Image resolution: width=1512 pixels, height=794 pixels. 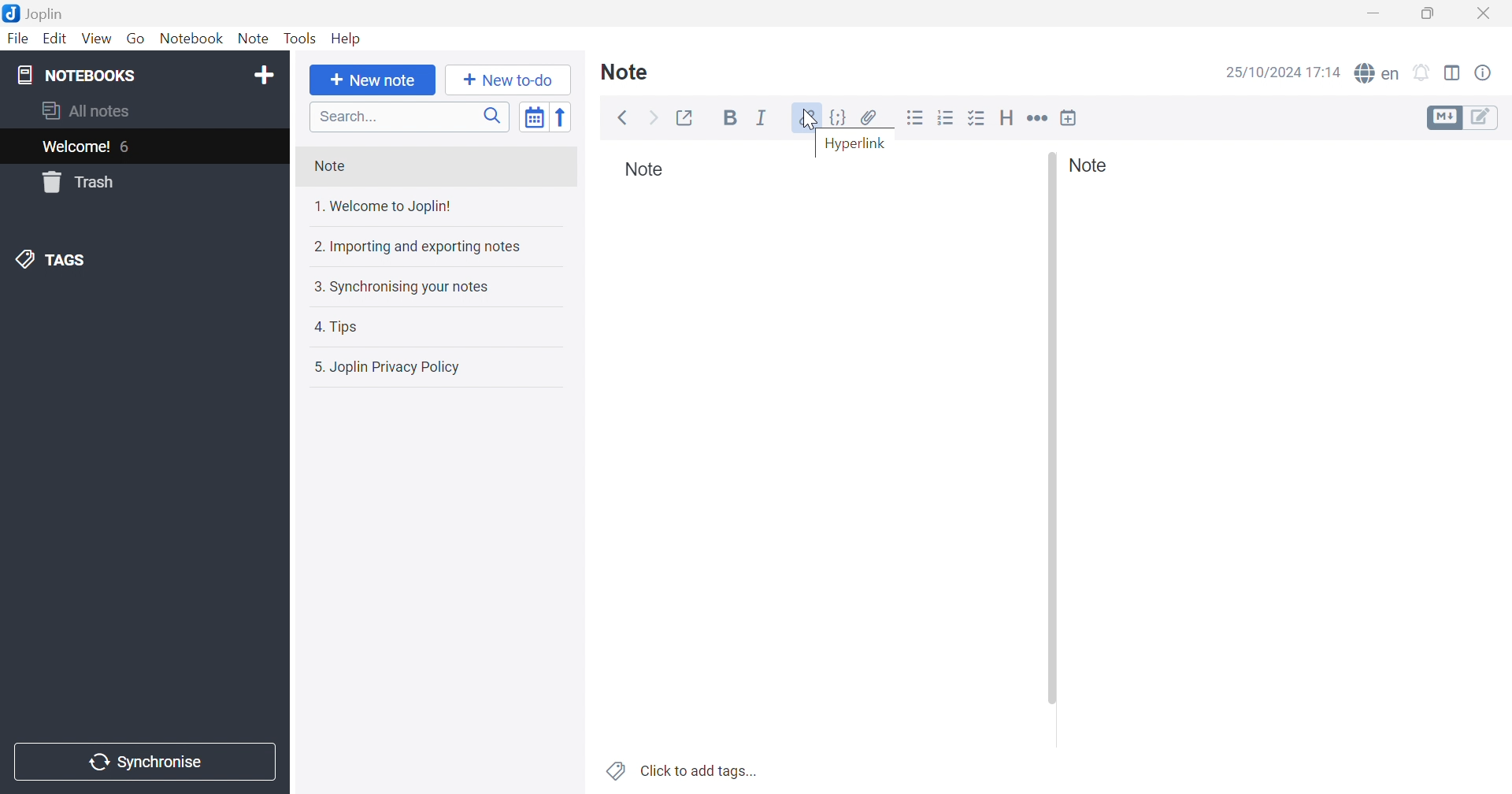 What do you see at coordinates (145, 762) in the screenshot?
I see `Synchronise` at bounding box center [145, 762].